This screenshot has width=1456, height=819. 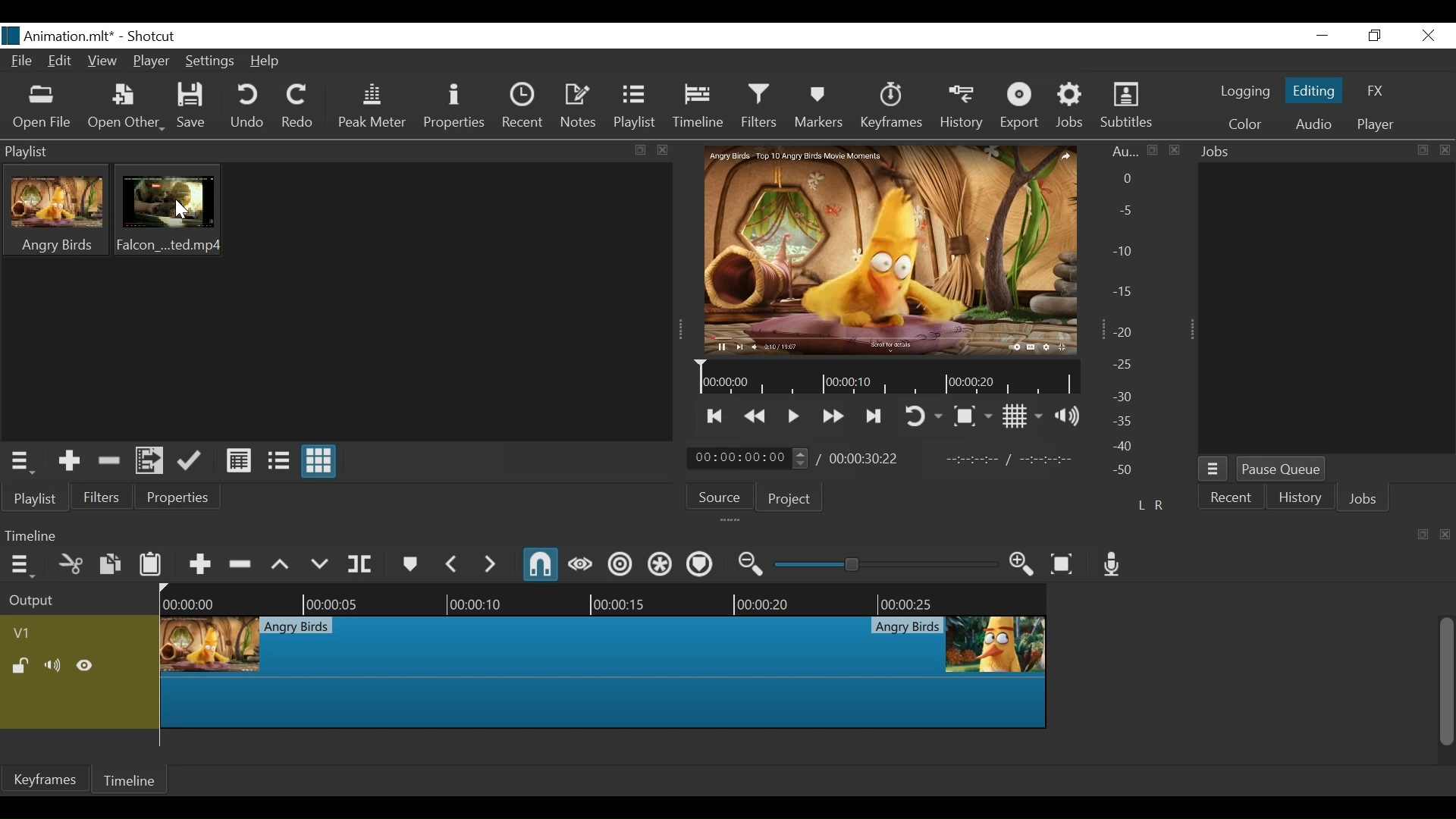 What do you see at coordinates (103, 61) in the screenshot?
I see `View` at bounding box center [103, 61].